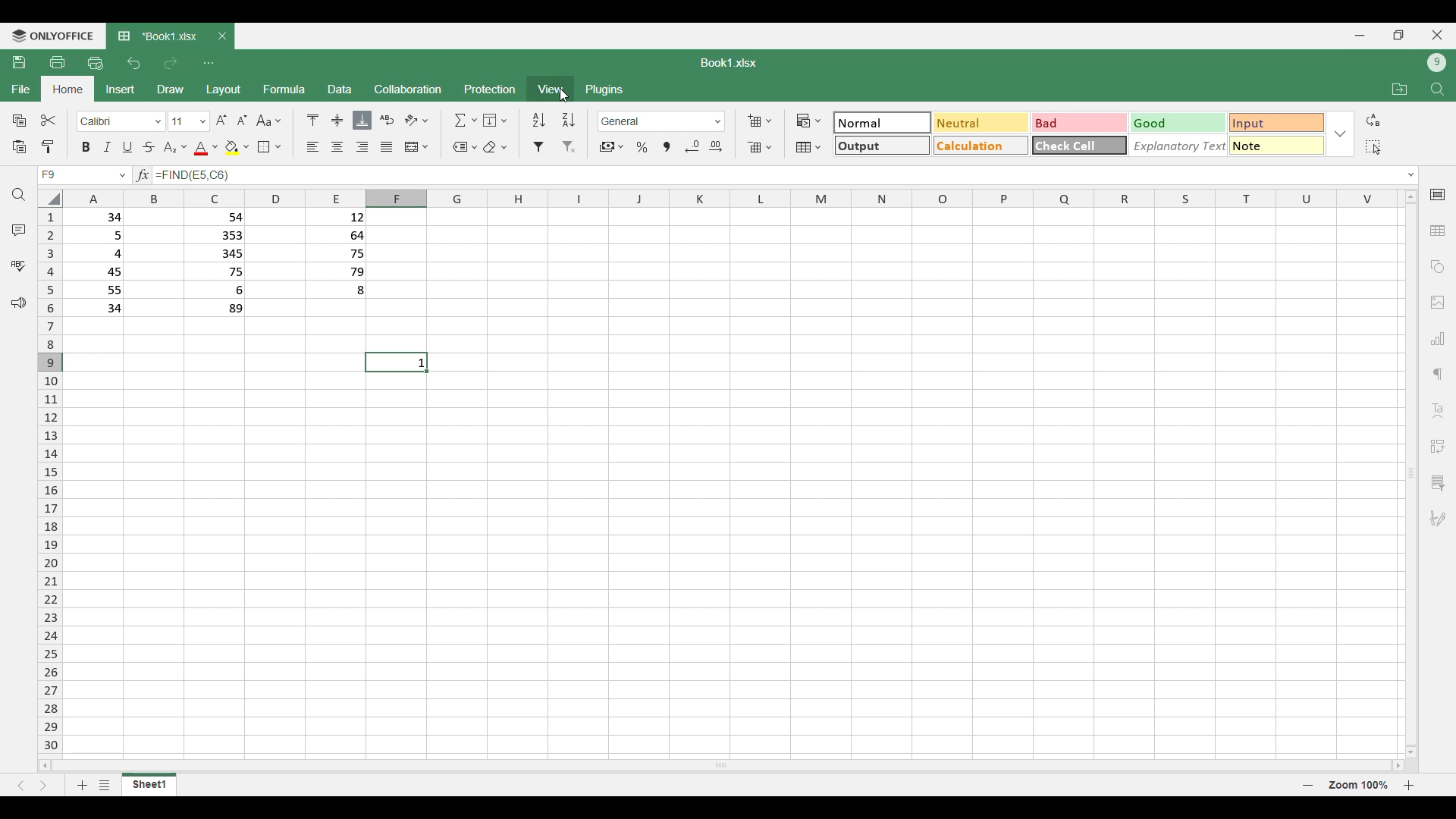  What do you see at coordinates (1412, 196) in the screenshot?
I see `move up` at bounding box center [1412, 196].